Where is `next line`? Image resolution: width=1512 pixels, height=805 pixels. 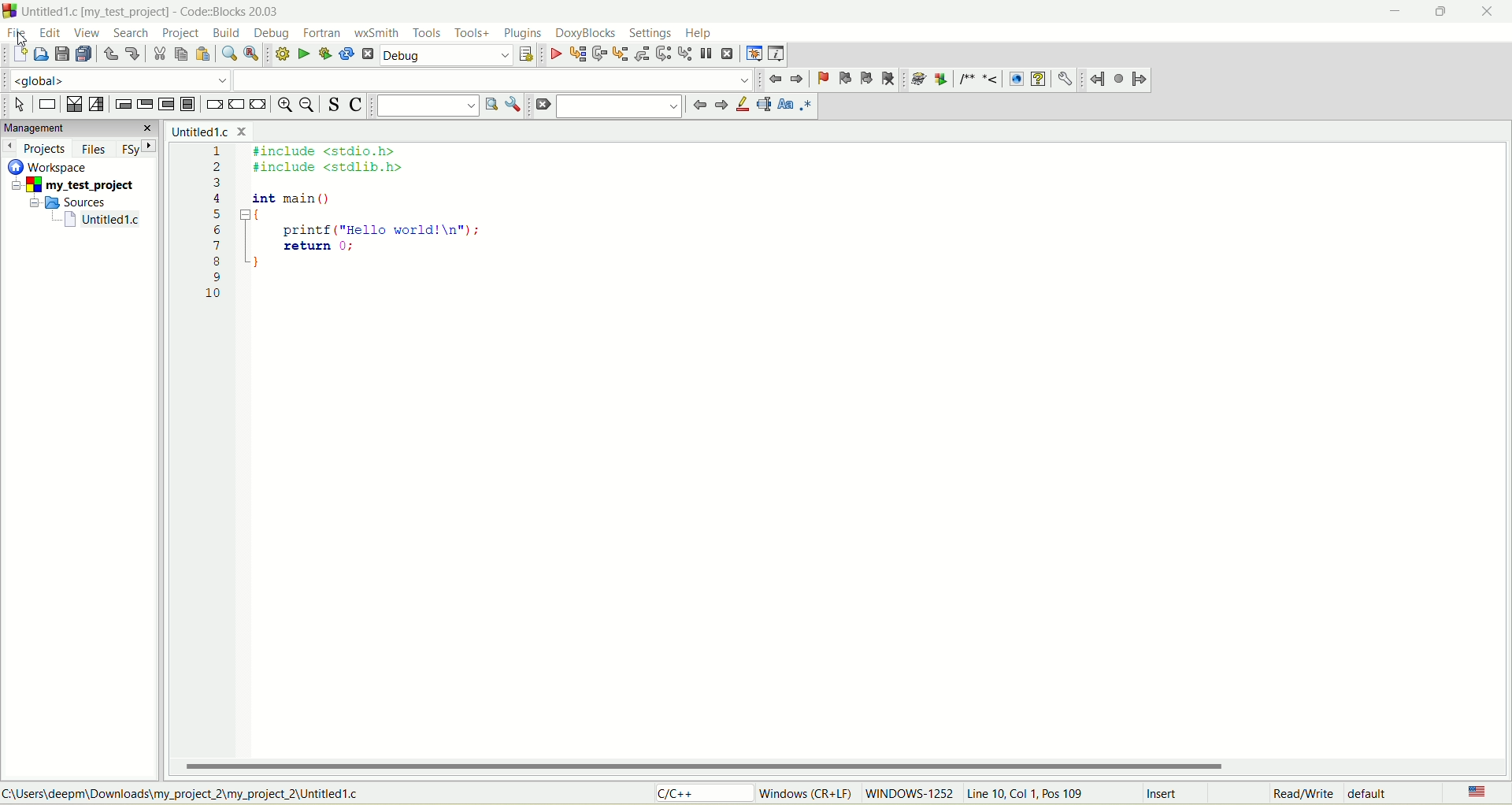 next line is located at coordinates (598, 54).